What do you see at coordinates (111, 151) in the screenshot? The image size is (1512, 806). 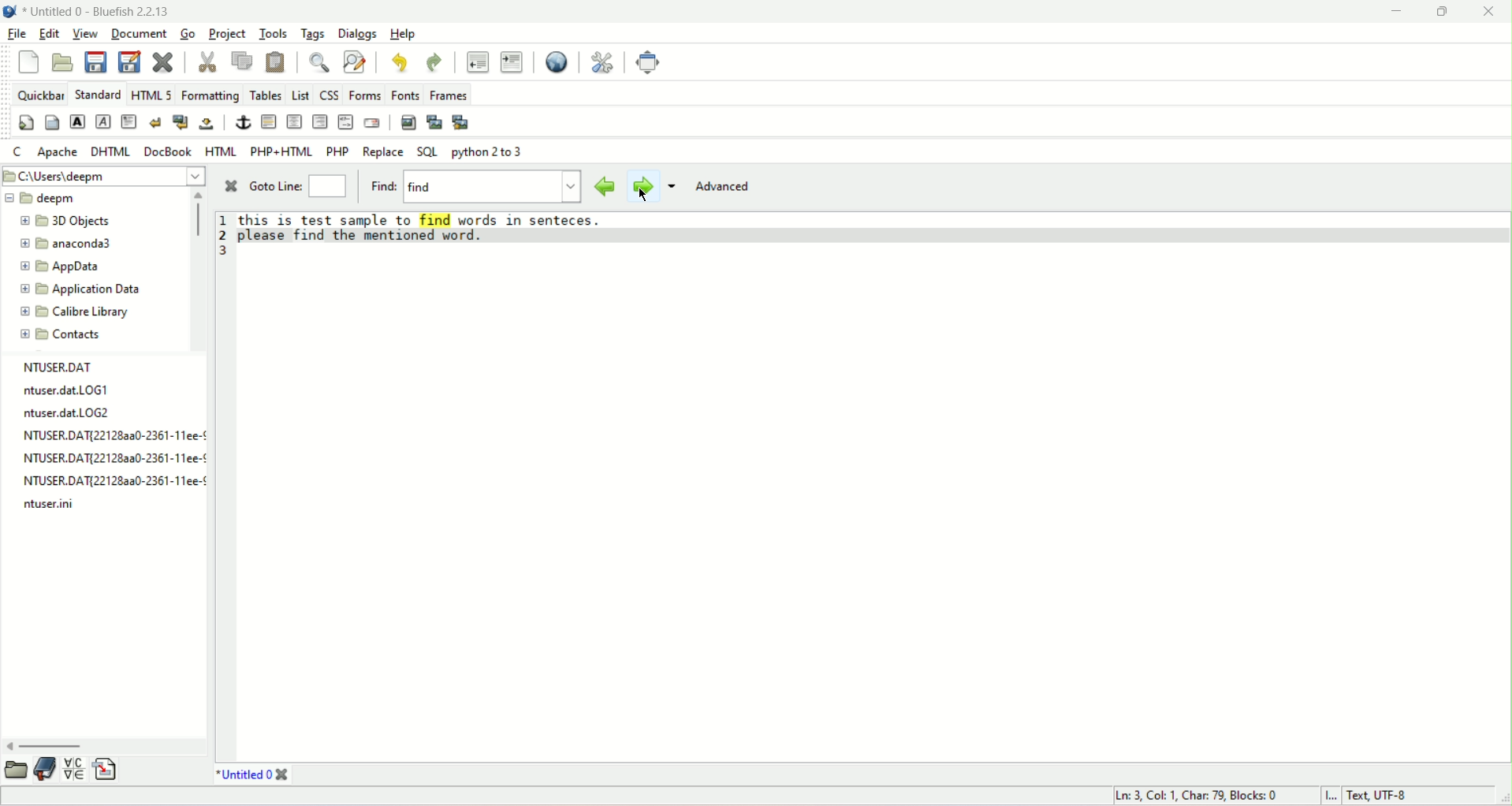 I see `DHTML` at bounding box center [111, 151].